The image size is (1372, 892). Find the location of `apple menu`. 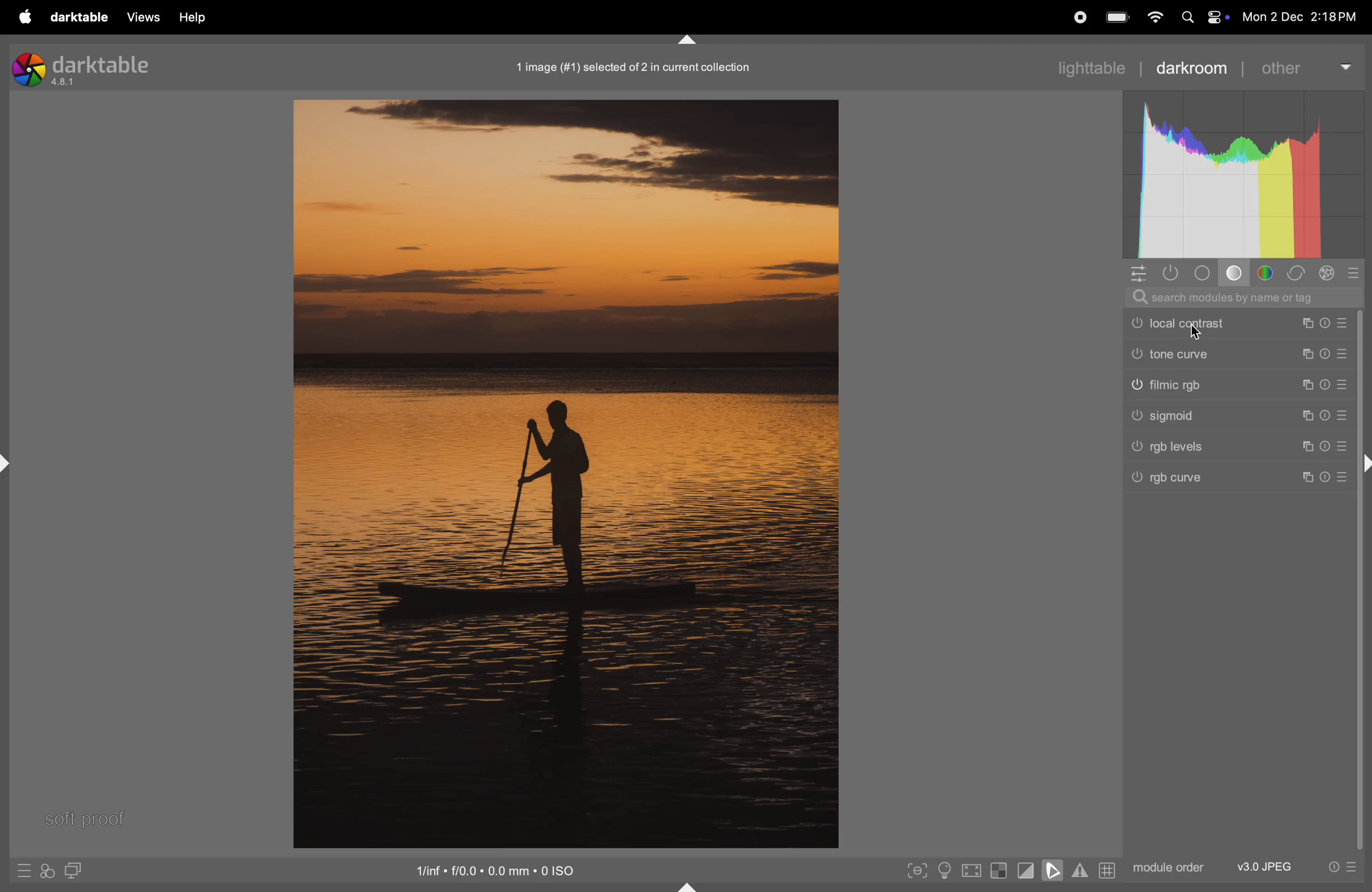

apple menu is located at coordinates (24, 16).